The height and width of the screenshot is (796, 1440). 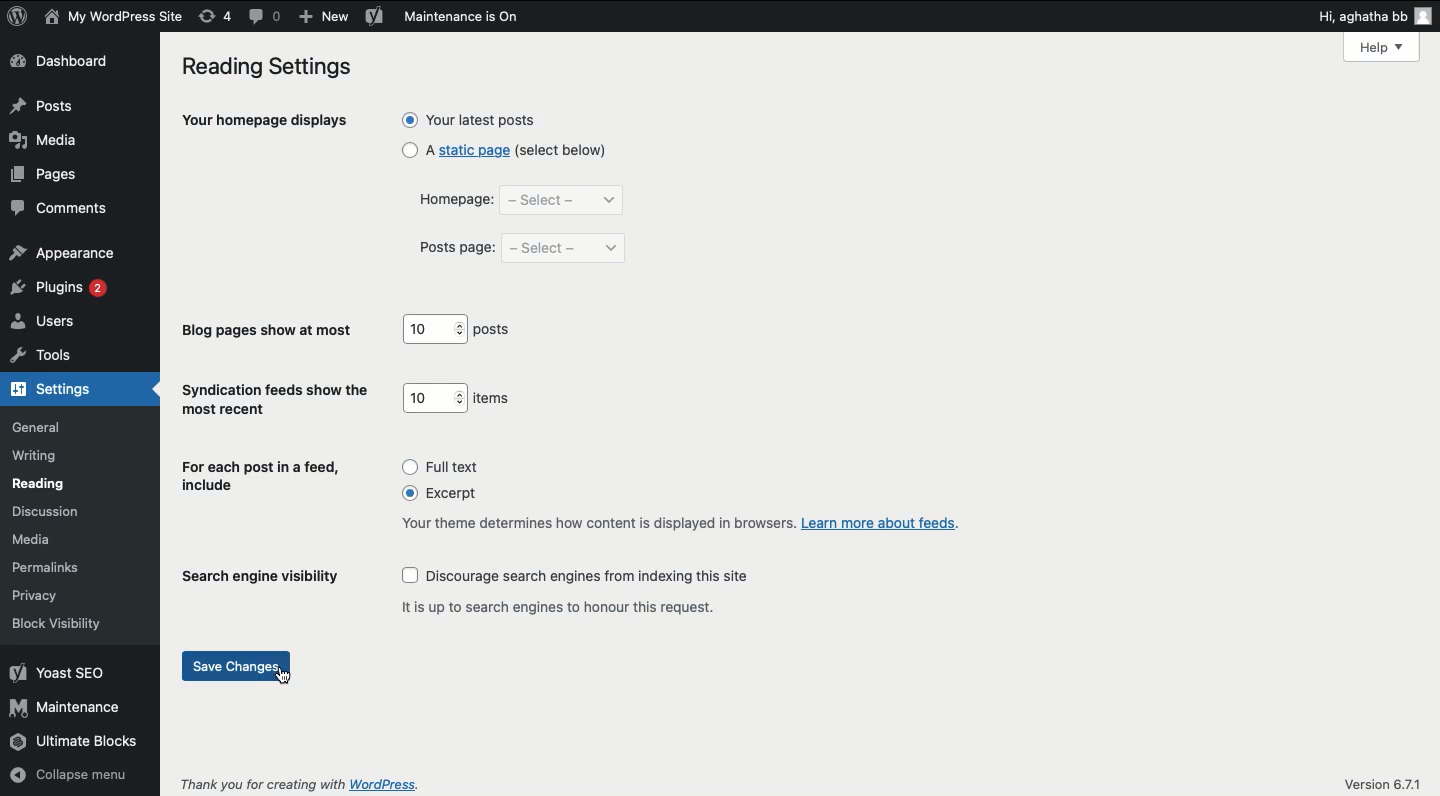 I want to click on a static page (select below), so click(x=507, y=149).